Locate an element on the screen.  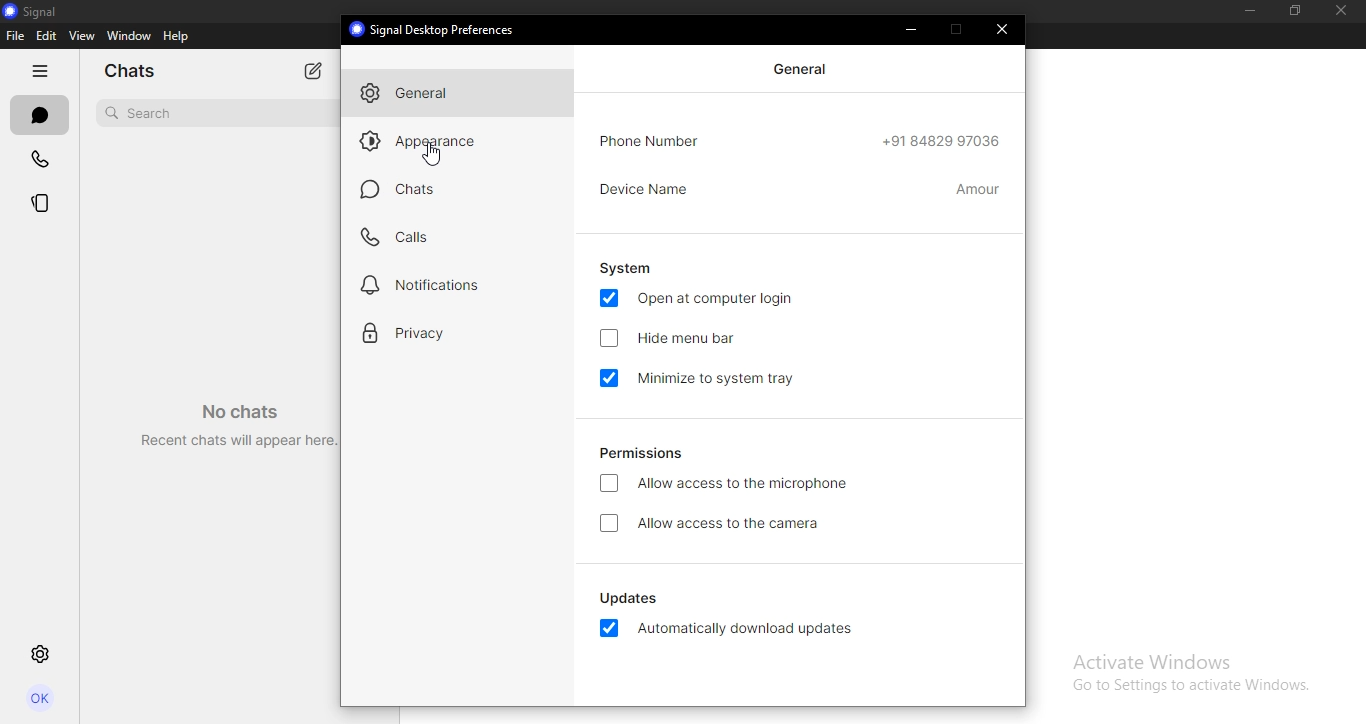
edit is located at coordinates (46, 36).